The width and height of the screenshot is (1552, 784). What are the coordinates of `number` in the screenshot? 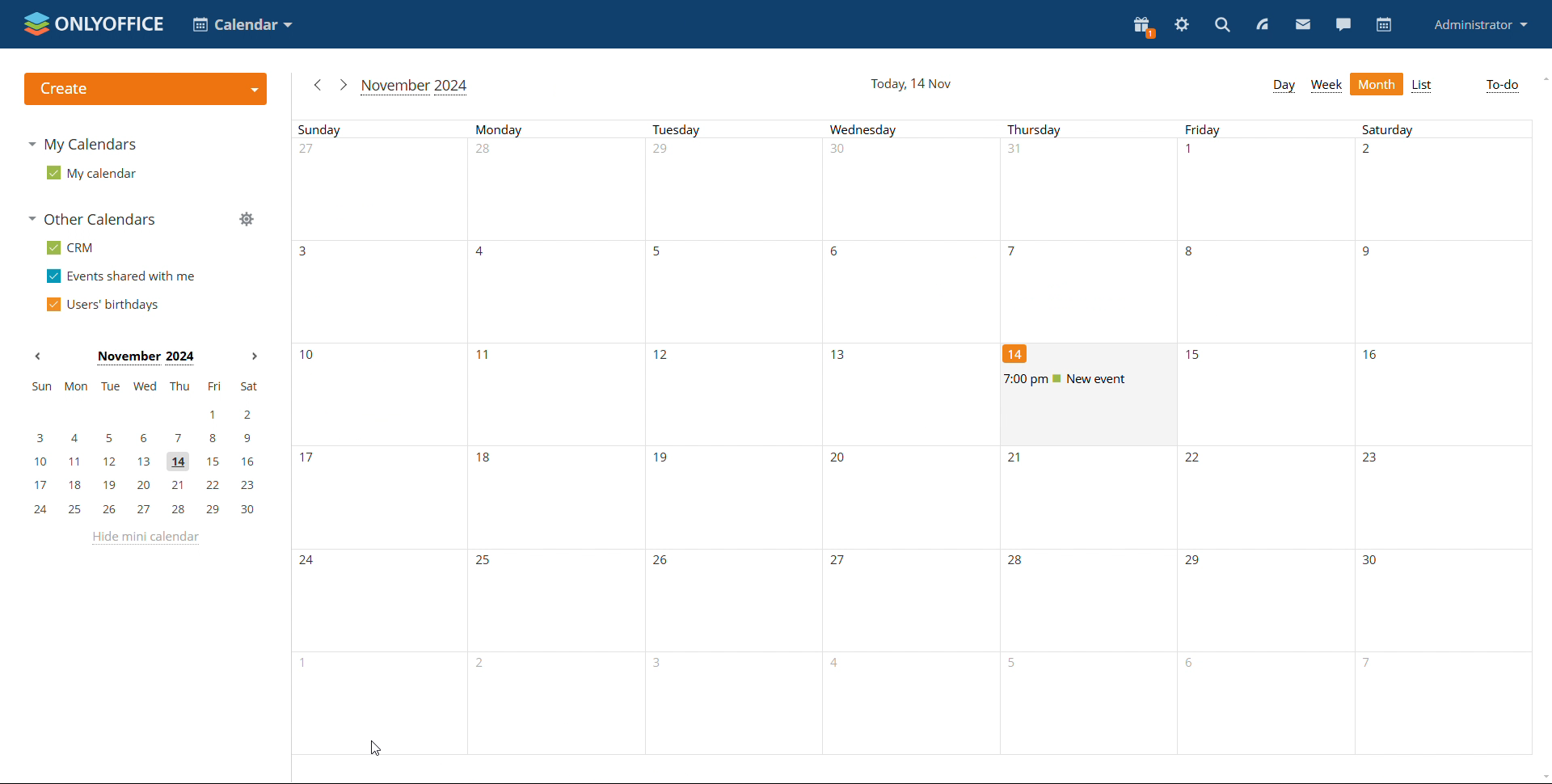 It's located at (1373, 253).